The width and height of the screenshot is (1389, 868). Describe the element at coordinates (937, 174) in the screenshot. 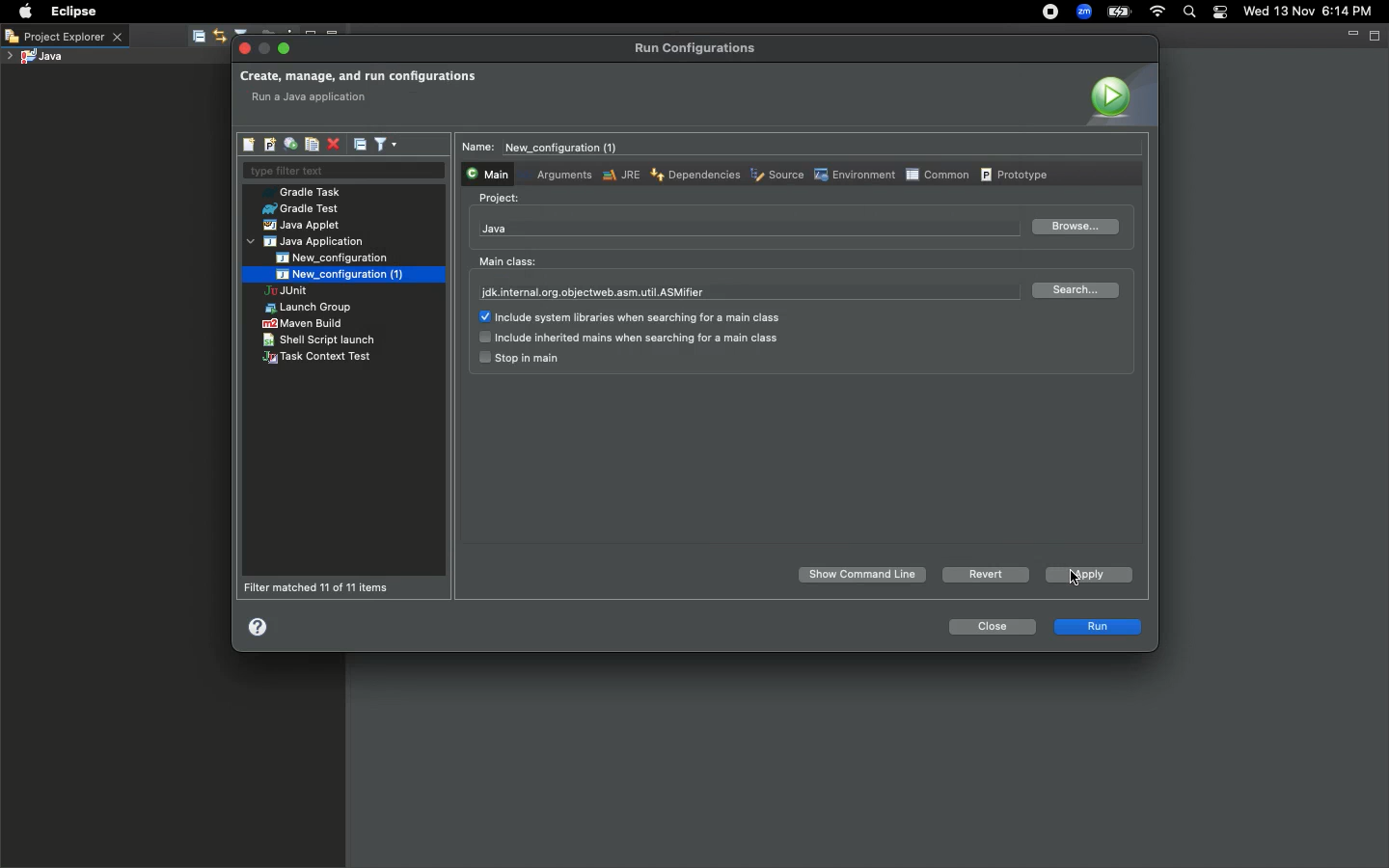

I see `Common` at that location.